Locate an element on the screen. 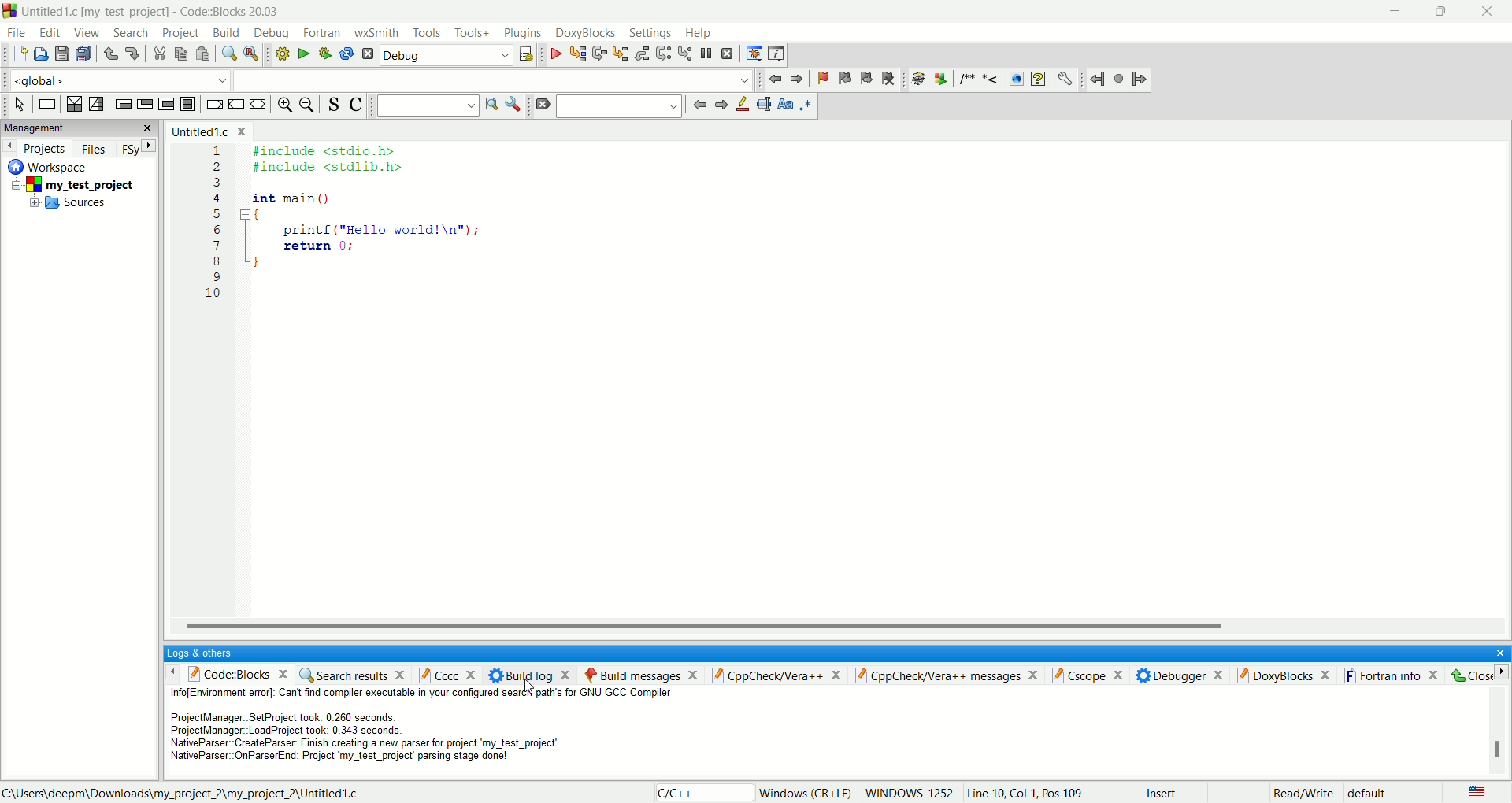  text search is located at coordinates (428, 105).